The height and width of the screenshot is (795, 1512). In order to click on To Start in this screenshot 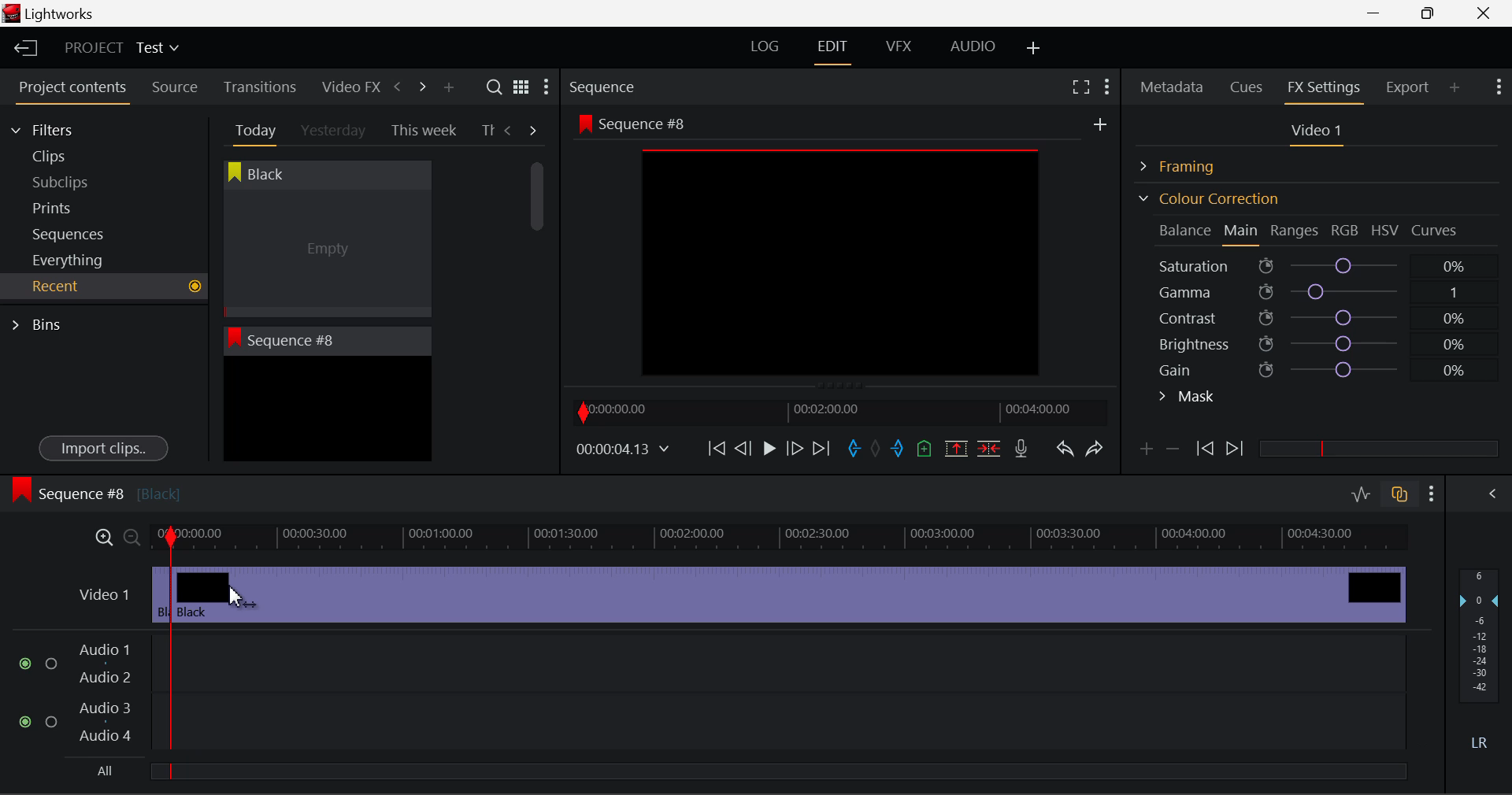, I will do `click(715, 448)`.